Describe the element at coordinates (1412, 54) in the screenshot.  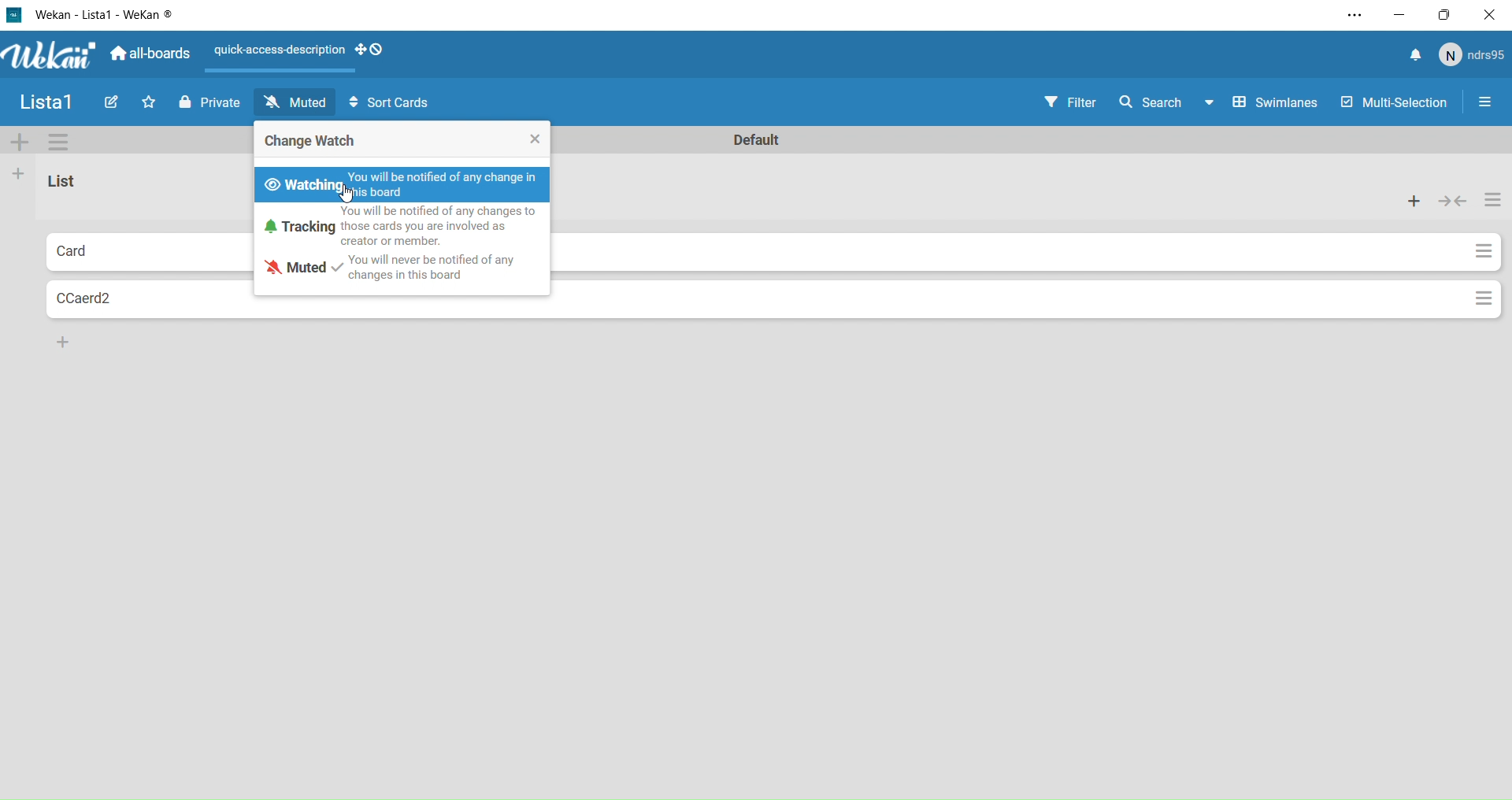
I see `Notifications` at that location.